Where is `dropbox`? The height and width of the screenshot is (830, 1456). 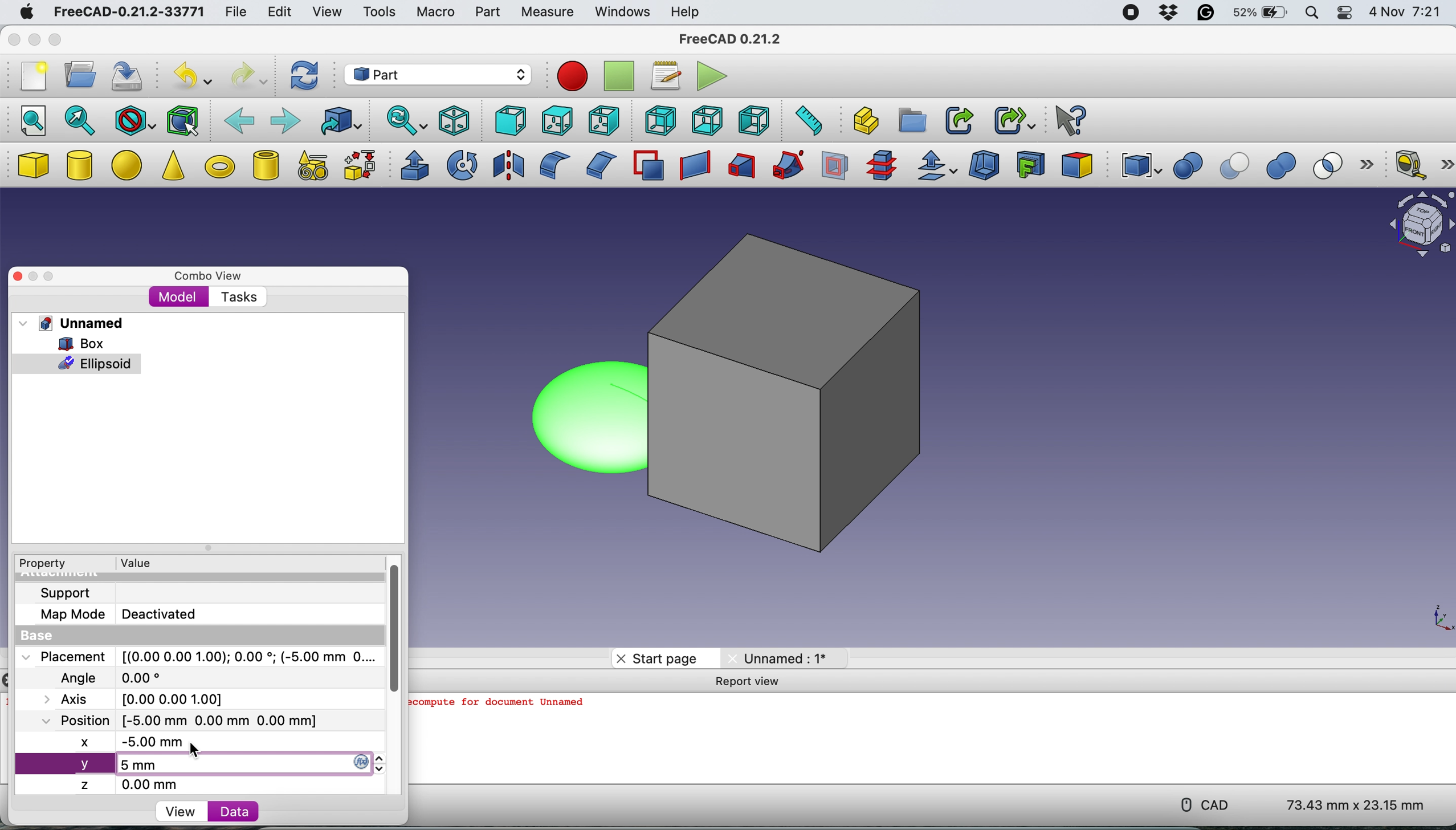 dropbox is located at coordinates (1166, 13).